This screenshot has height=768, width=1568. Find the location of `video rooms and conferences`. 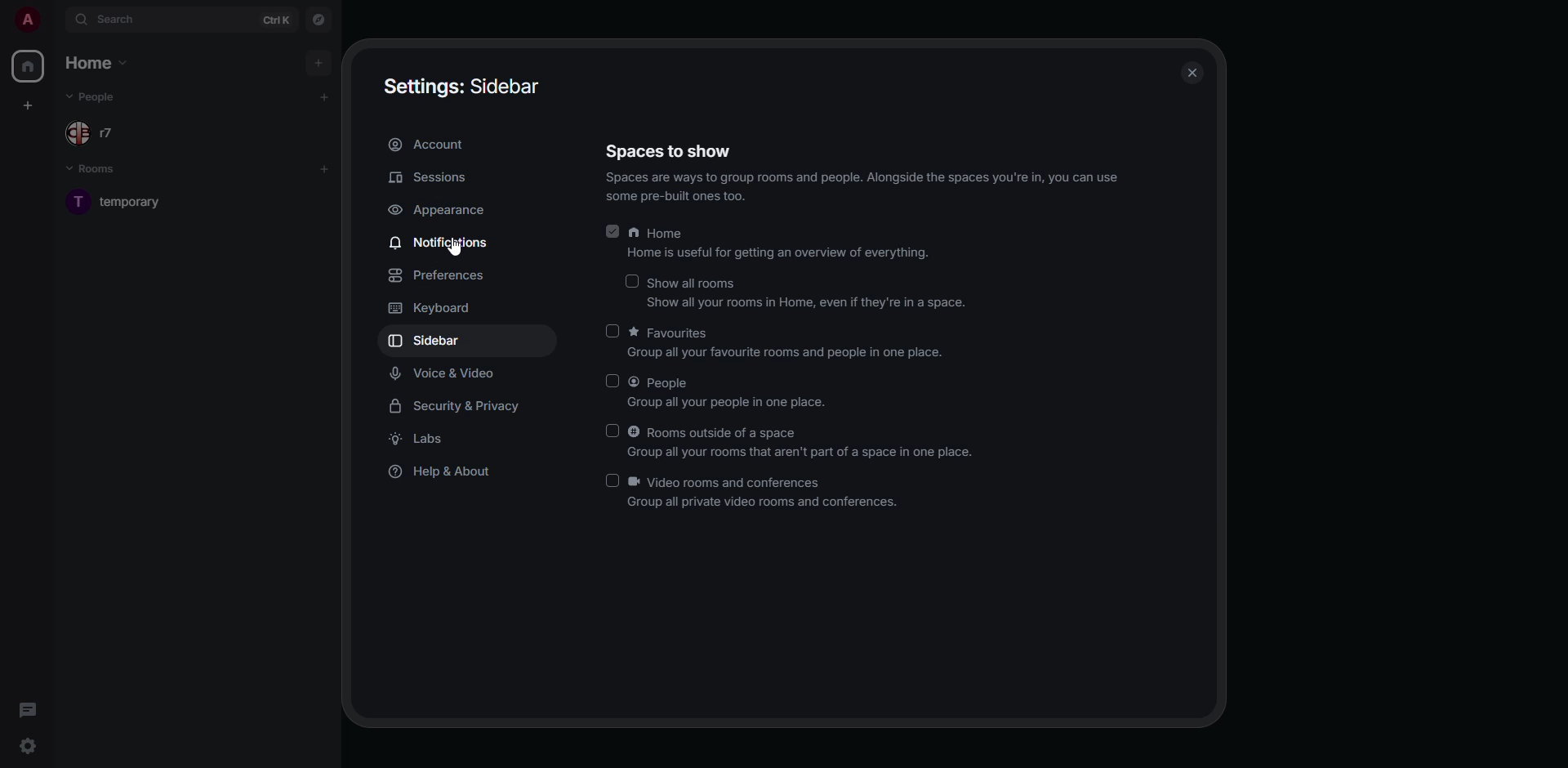

video rooms and conferences is located at coordinates (765, 494).